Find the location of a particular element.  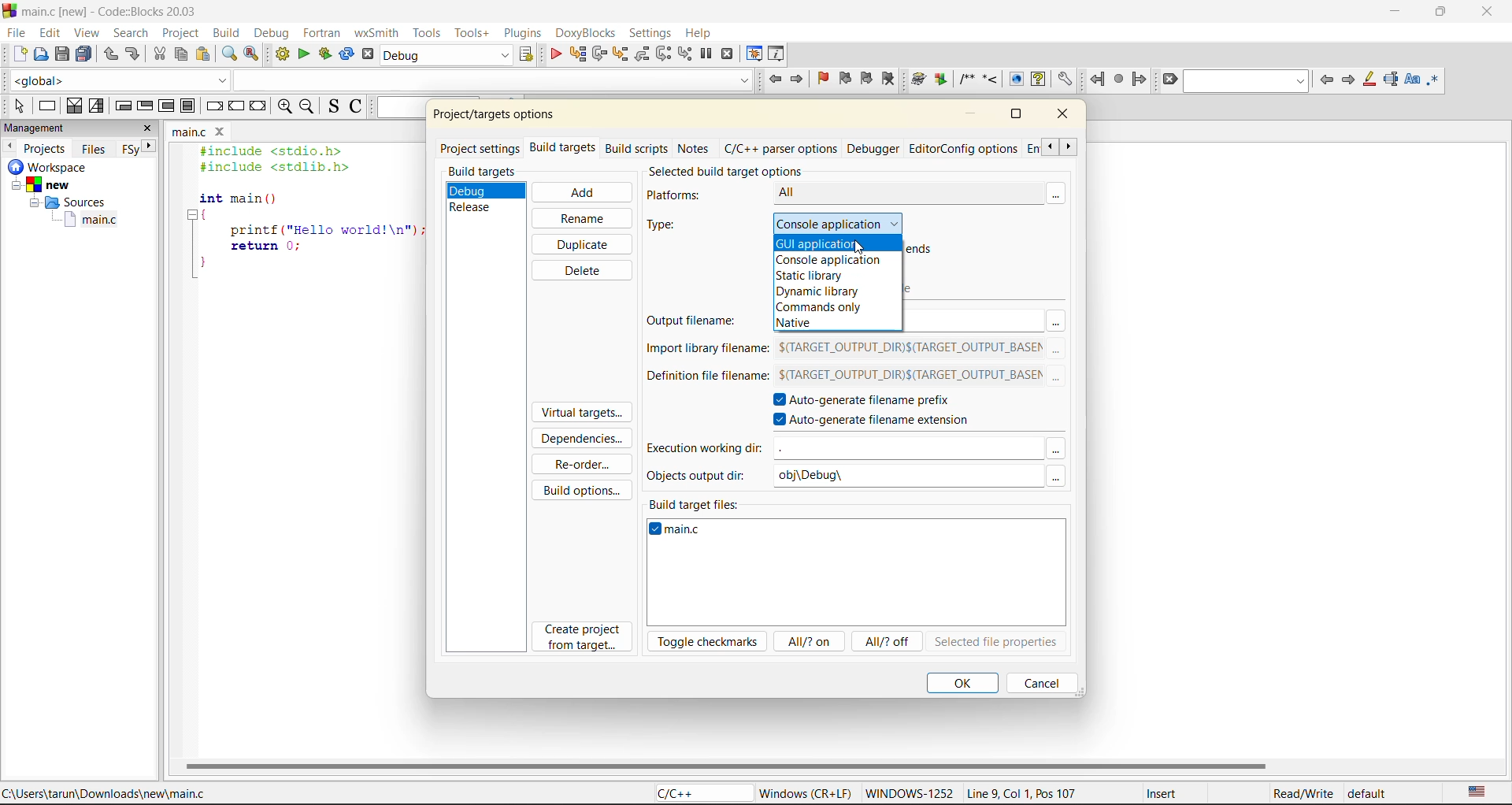

<global> is located at coordinates (118, 80).